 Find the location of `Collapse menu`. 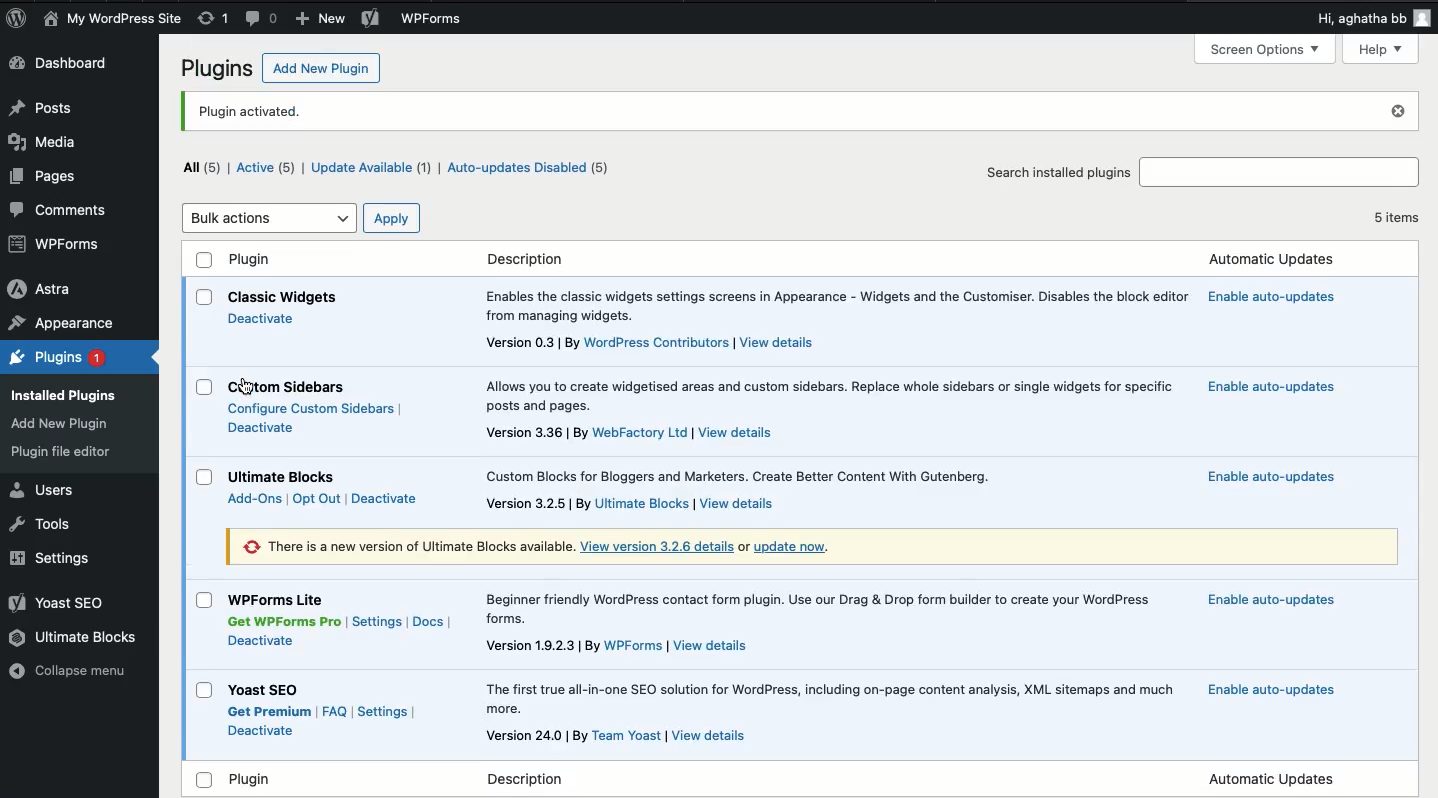

Collapse menu is located at coordinates (73, 670).